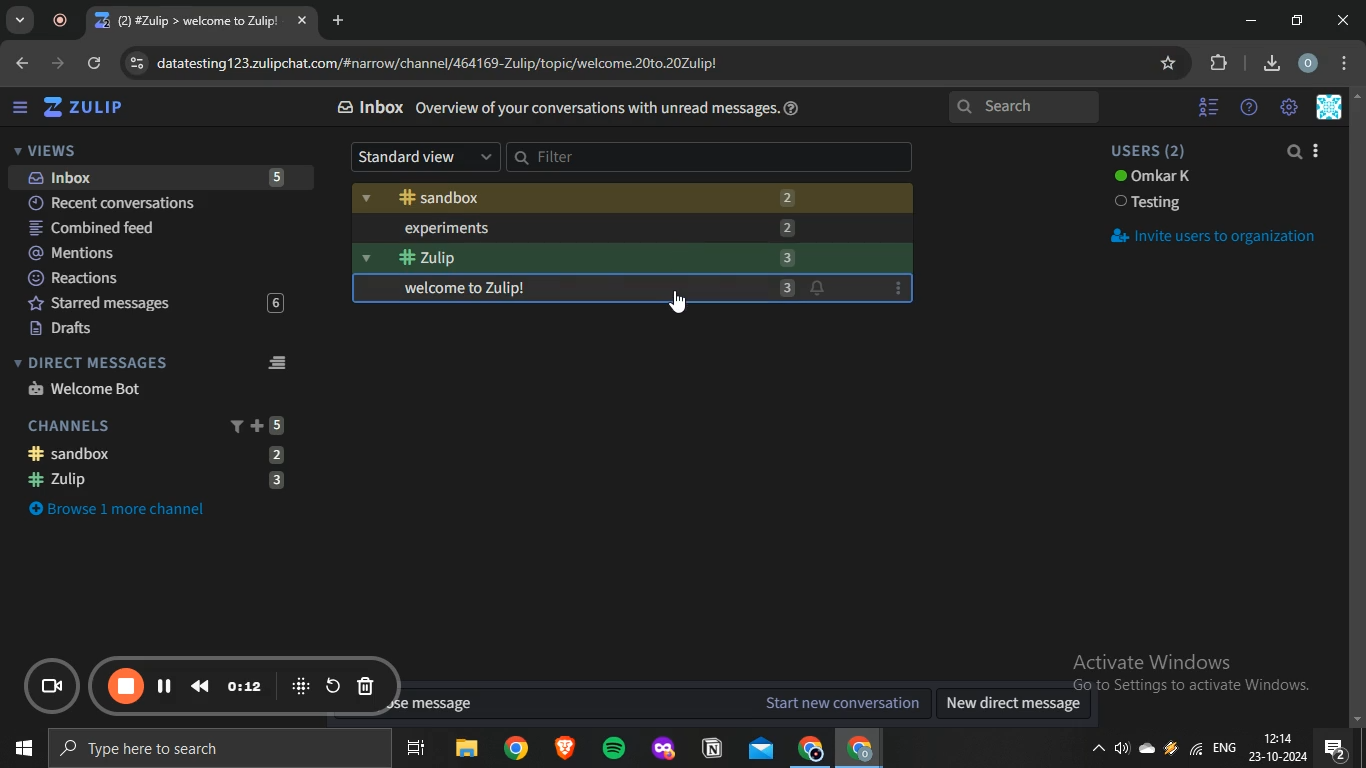 This screenshot has height=768, width=1366. What do you see at coordinates (155, 229) in the screenshot?
I see `combined feed` at bounding box center [155, 229].